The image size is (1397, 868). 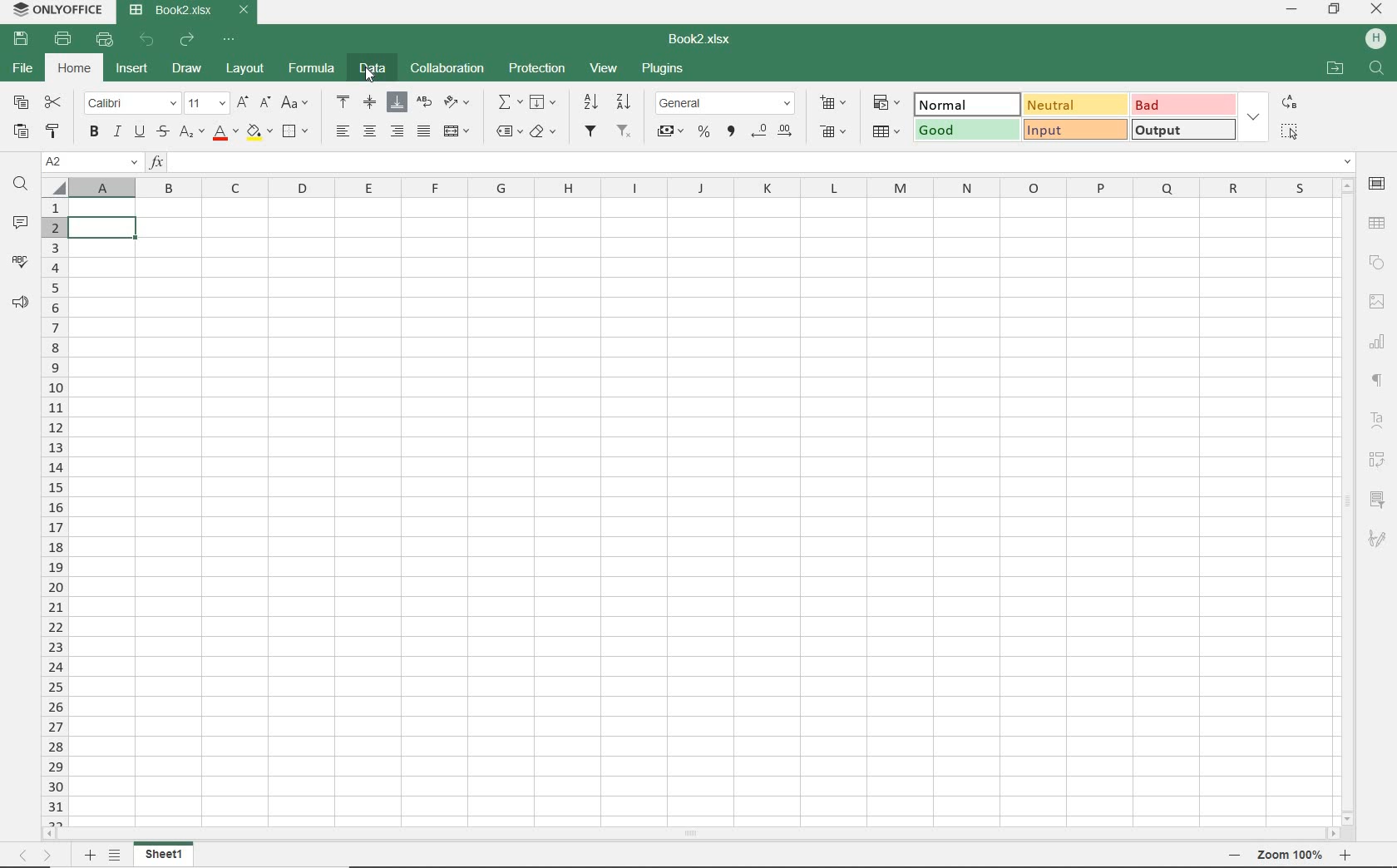 I want to click on INSERT FUNCTION, so click(x=507, y=101).